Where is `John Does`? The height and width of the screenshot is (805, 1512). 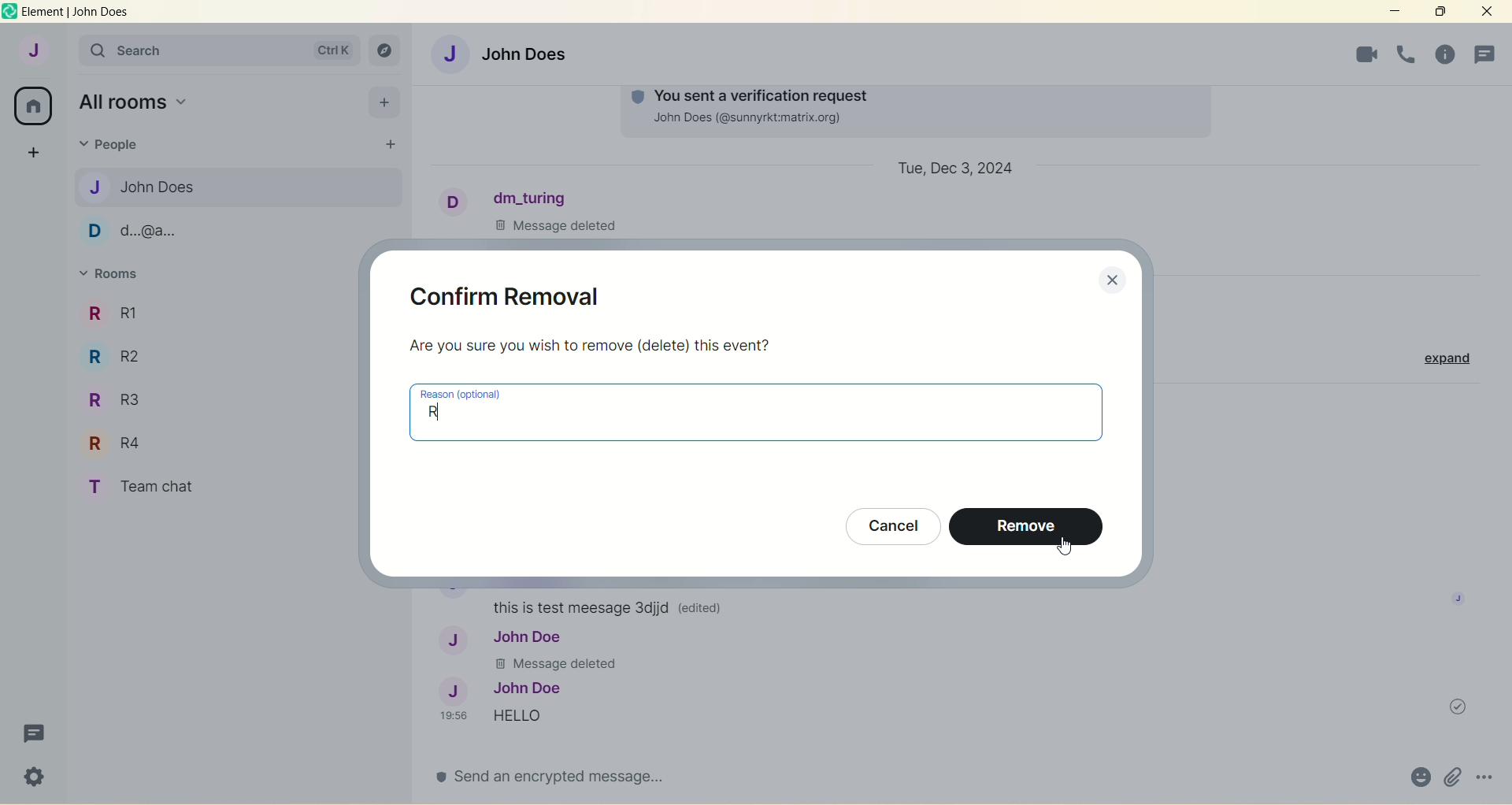 John Does is located at coordinates (517, 59).